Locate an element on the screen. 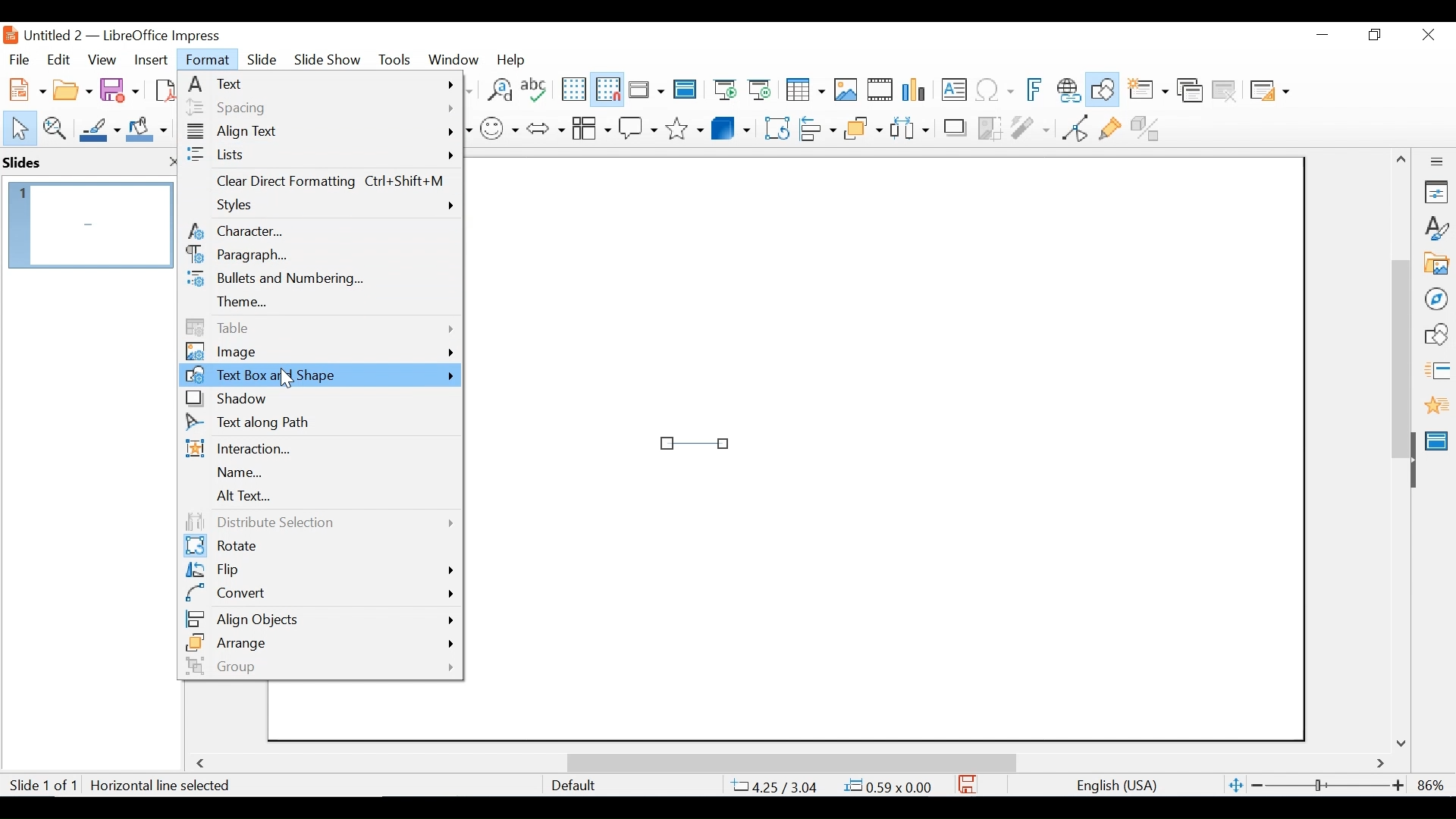 Image resolution: width=1456 pixels, height=819 pixels. Insert Frontwork is located at coordinates (1036, 90).